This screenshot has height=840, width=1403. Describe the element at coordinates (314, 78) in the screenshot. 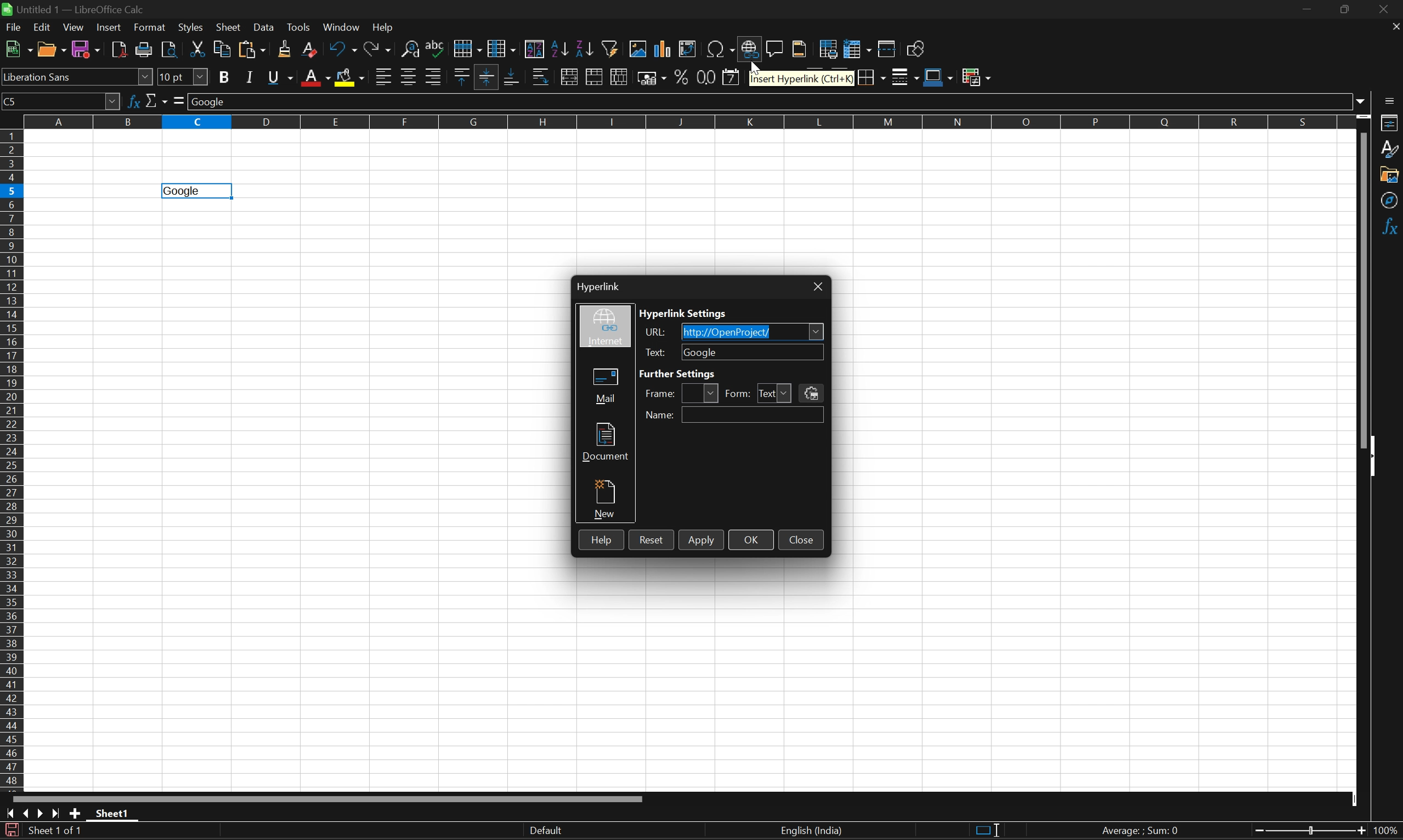

I see `Font color` at that location.